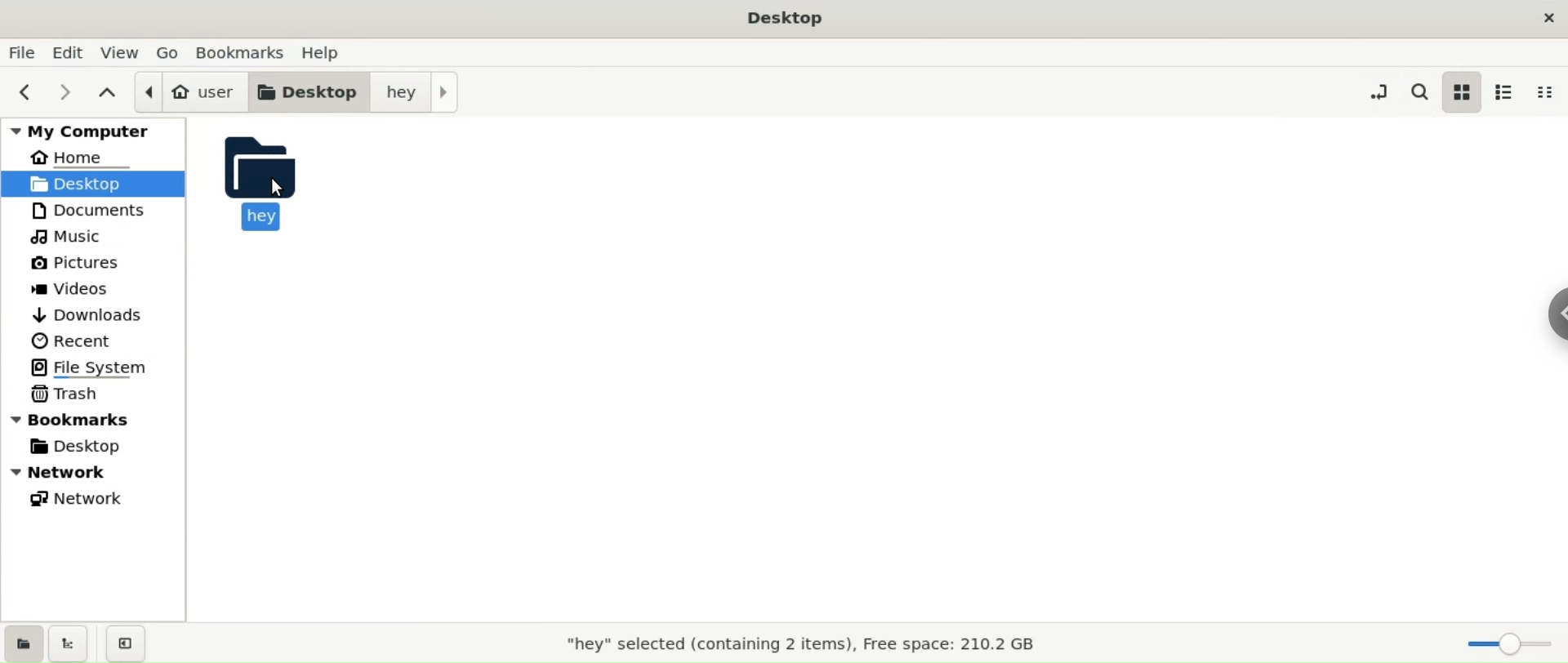 The width and height of the screenshot is (1568, 663). Describe the element at coordinates (94, 209) in the screenshot. I see `documents` at that location.